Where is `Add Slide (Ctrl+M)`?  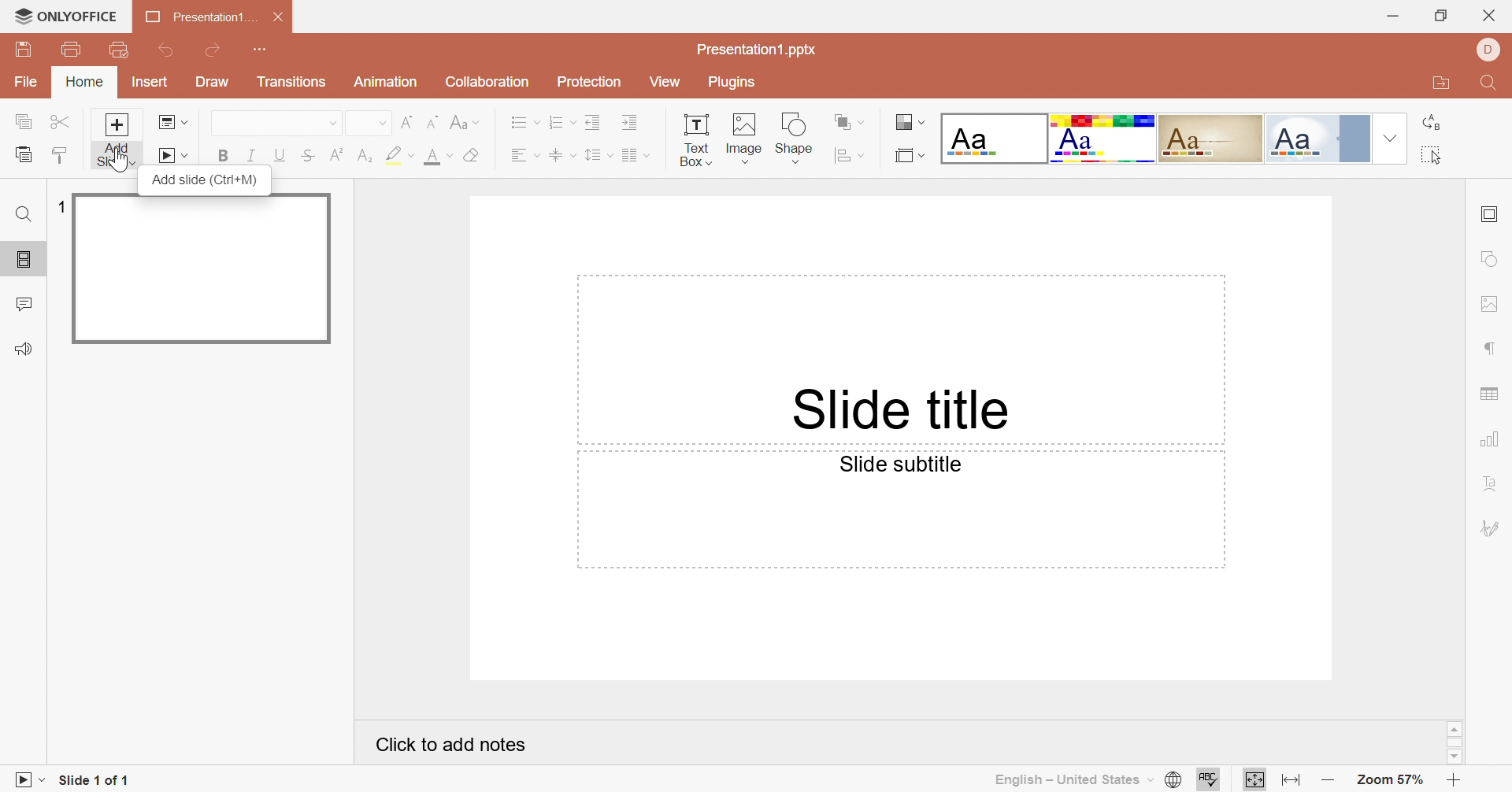
Add Slide (Ctrl+M) is located at coordinates (206, 179).